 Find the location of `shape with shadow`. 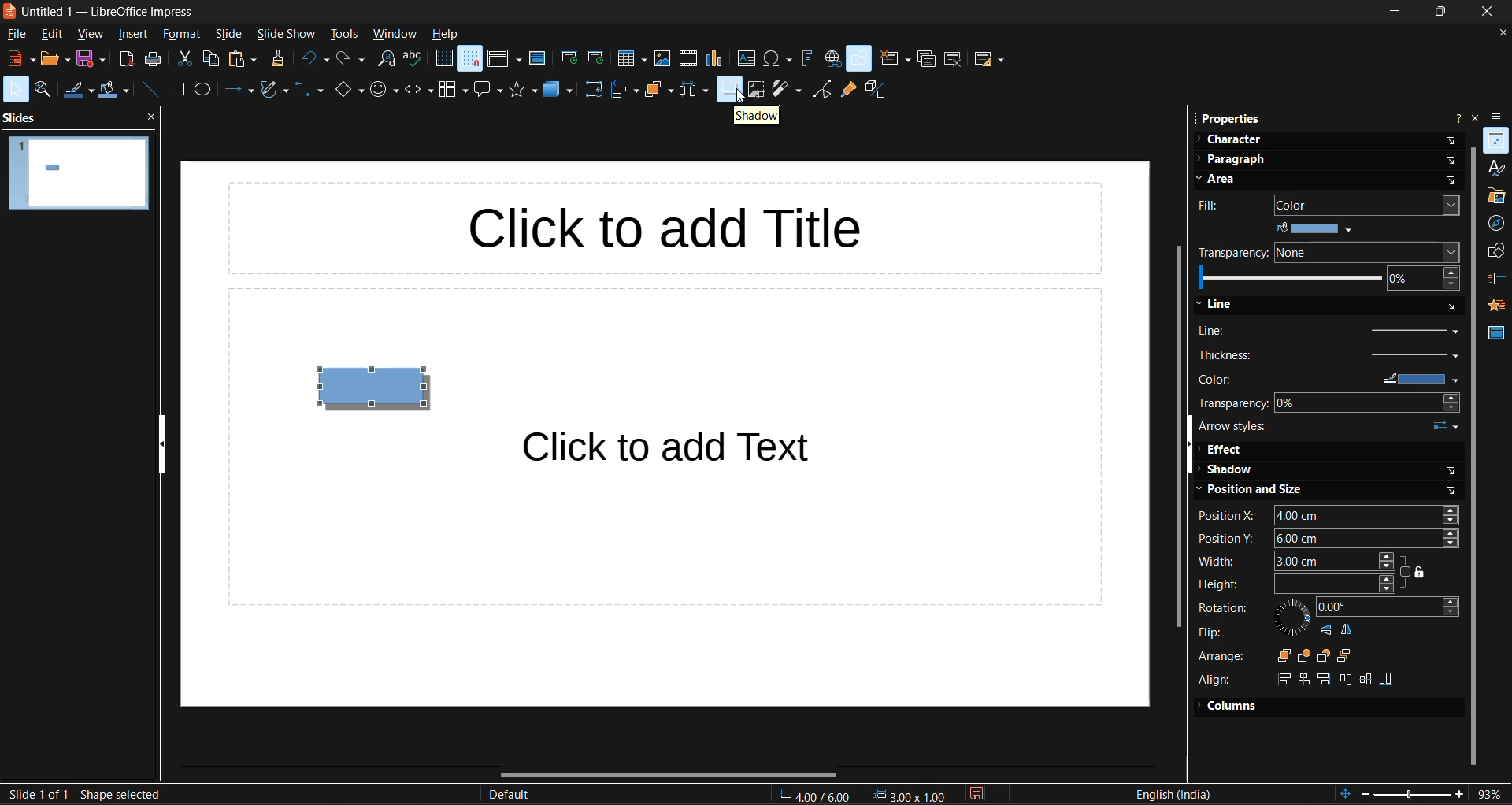

shape with shadow is located at coordinates (373, 388).